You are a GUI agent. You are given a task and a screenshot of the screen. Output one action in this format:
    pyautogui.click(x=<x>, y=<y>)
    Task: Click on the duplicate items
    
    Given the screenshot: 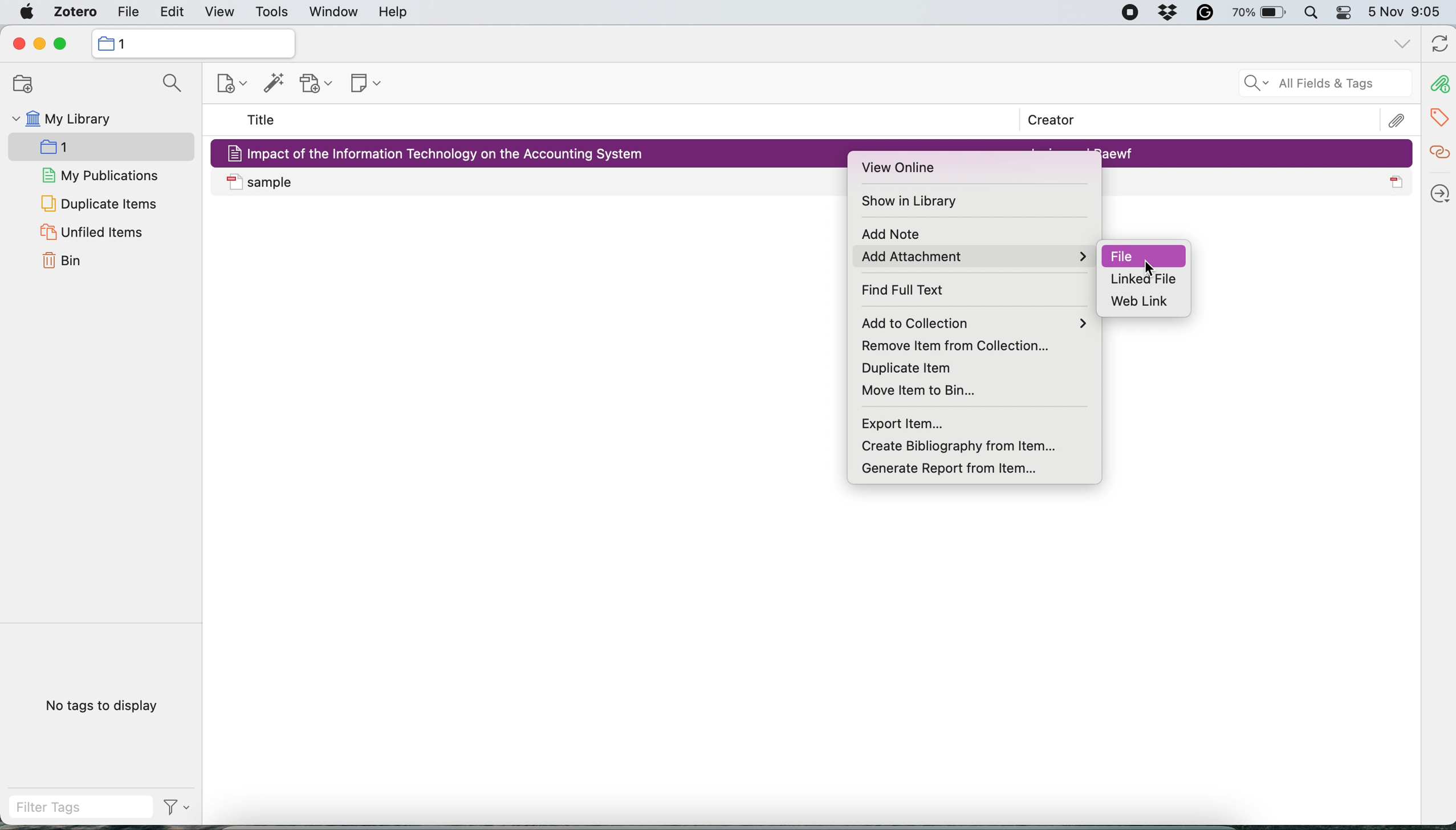 What is the action you would take?
    pyautogui.click(x=99, y=203)
    